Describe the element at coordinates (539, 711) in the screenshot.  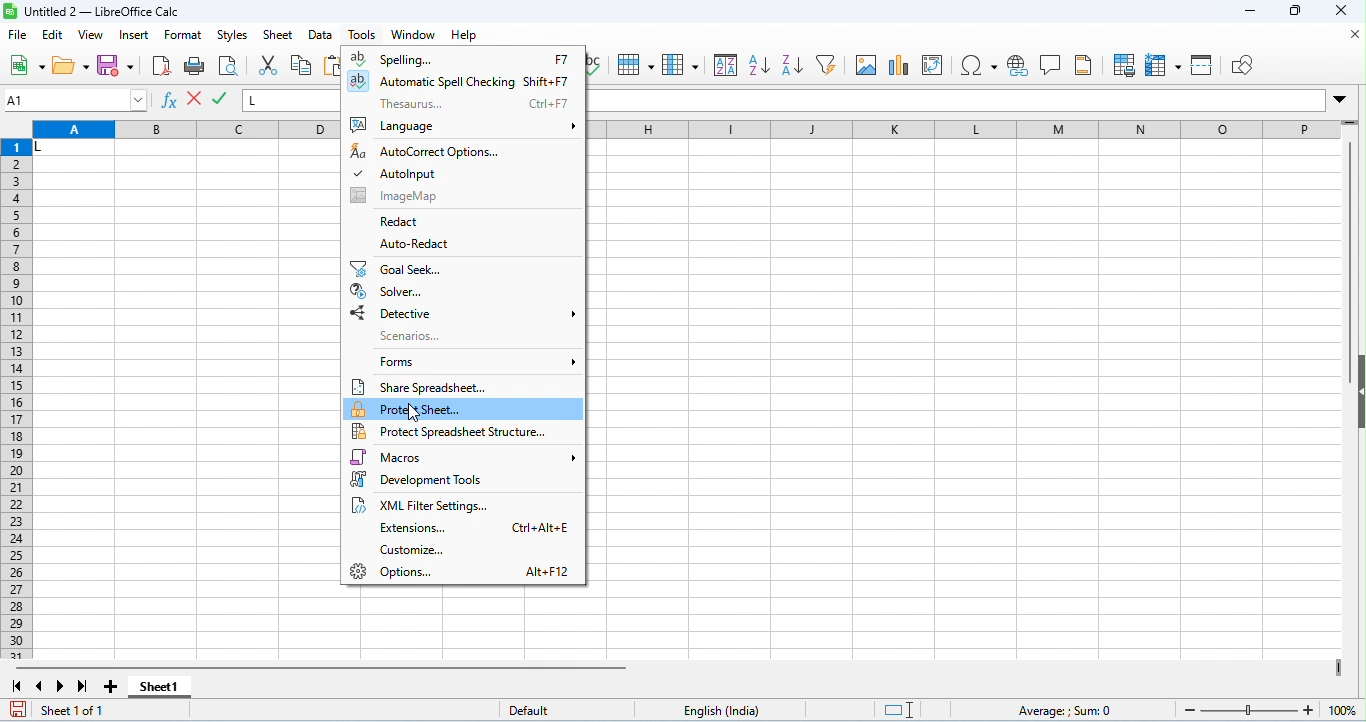
I see `default` at that location.